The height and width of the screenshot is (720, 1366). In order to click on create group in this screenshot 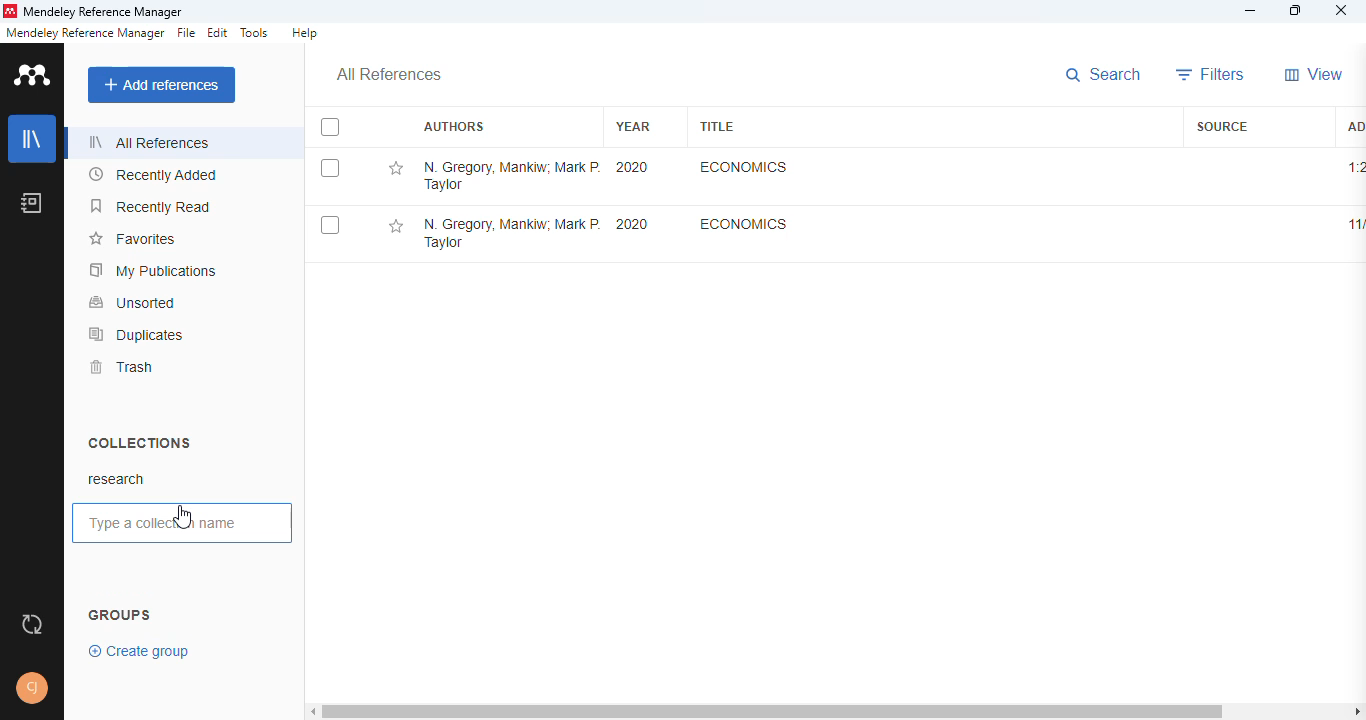, I will do `click(141, 650)`.